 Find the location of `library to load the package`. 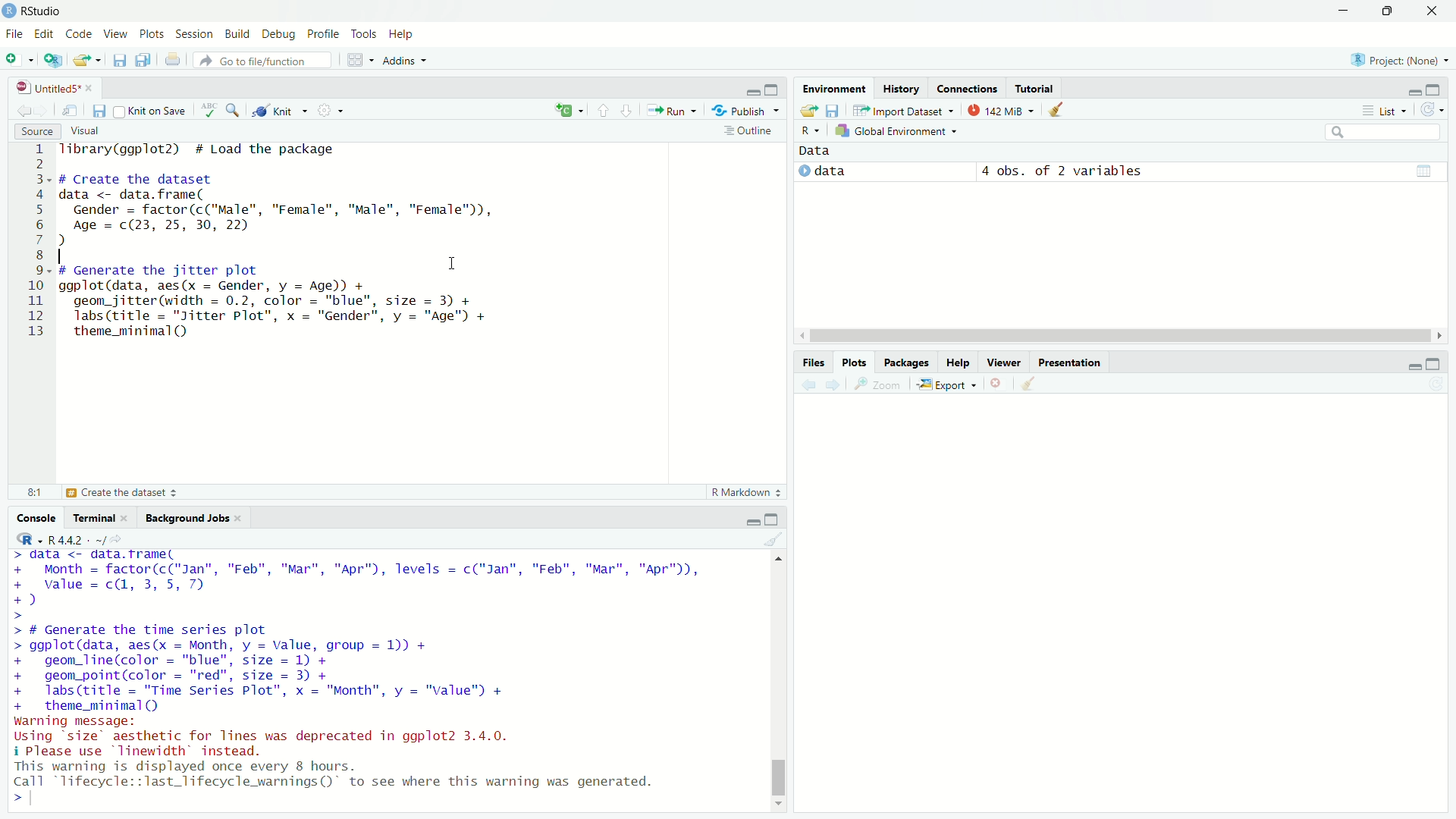

library to load the package is located at coordinates (207, 149).